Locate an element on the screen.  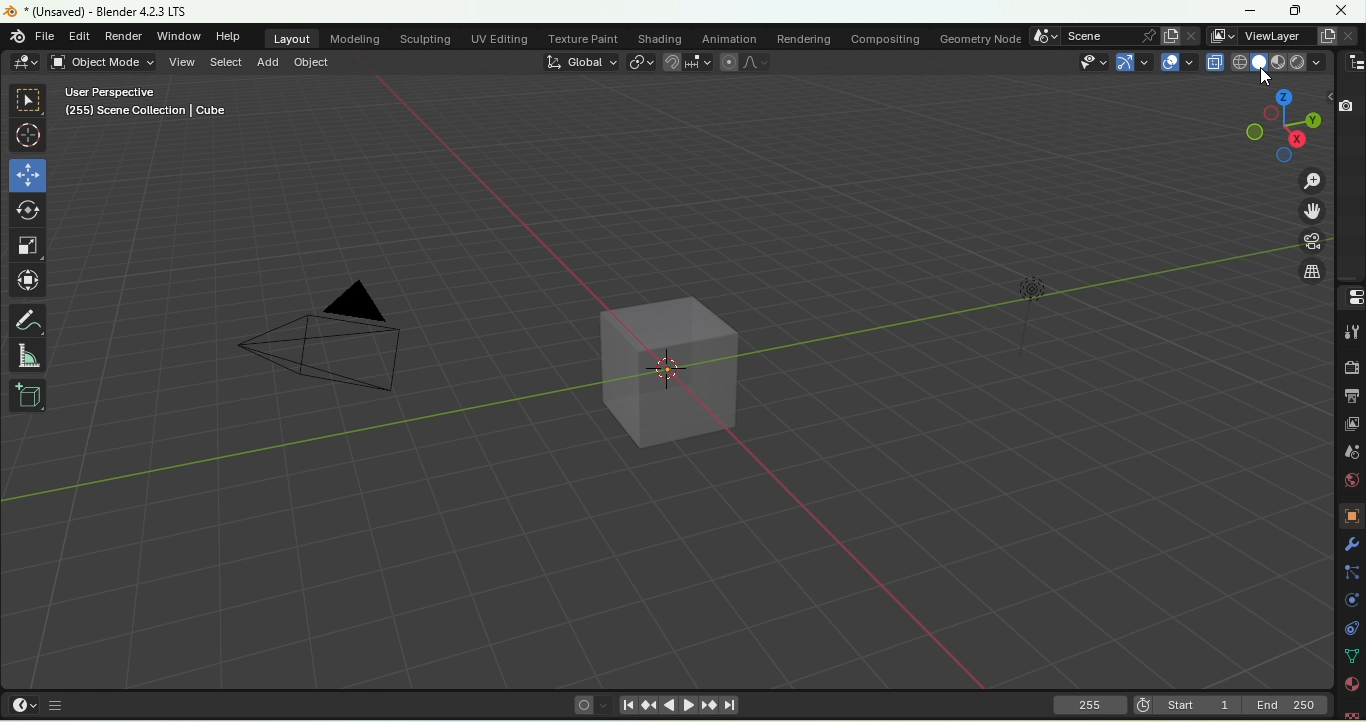
Jump to previous/next keyframe is located at coordinates (647, 706).